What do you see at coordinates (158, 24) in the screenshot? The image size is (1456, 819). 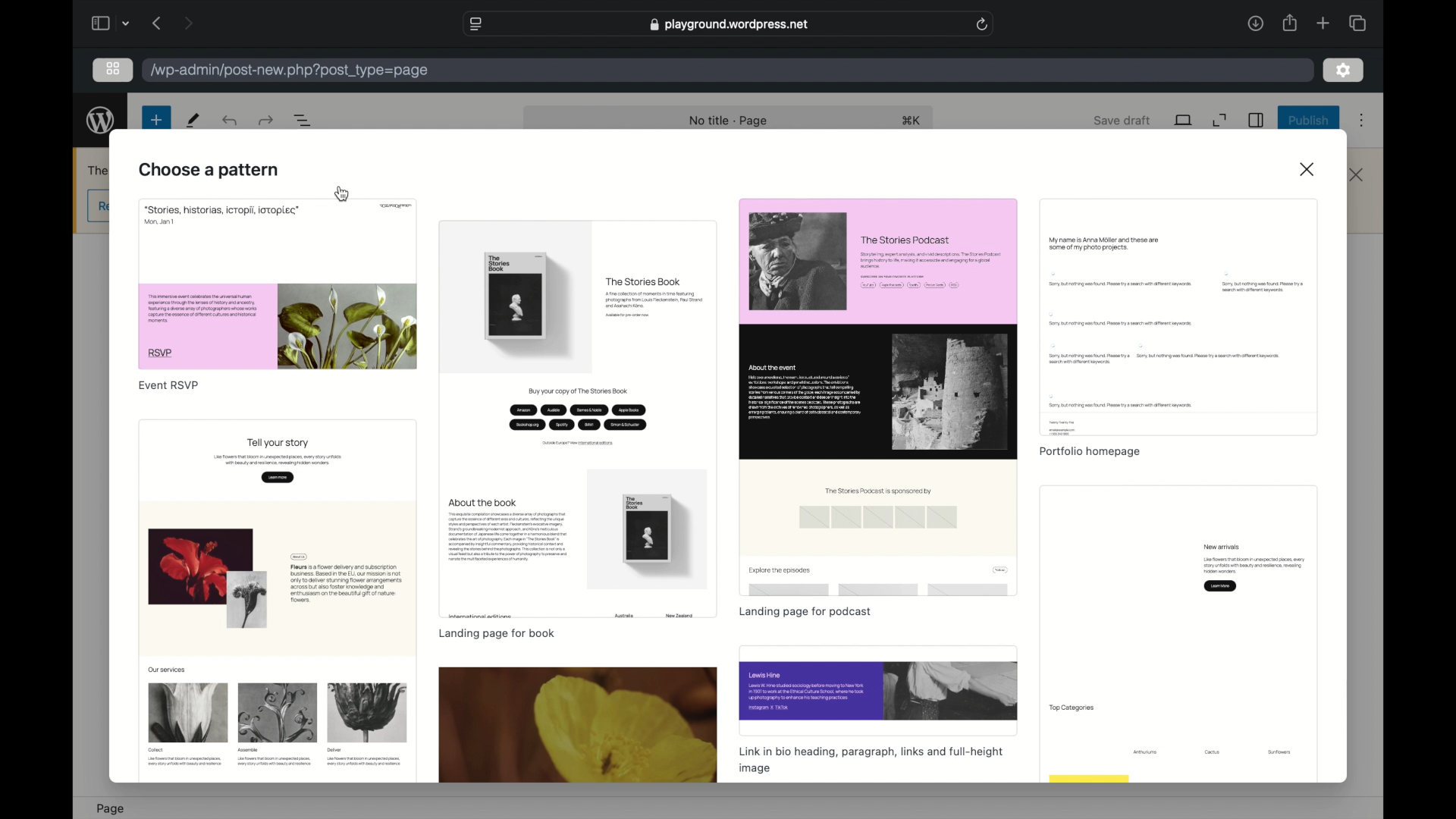 I see `previous page` at bounding box center [158, 24].